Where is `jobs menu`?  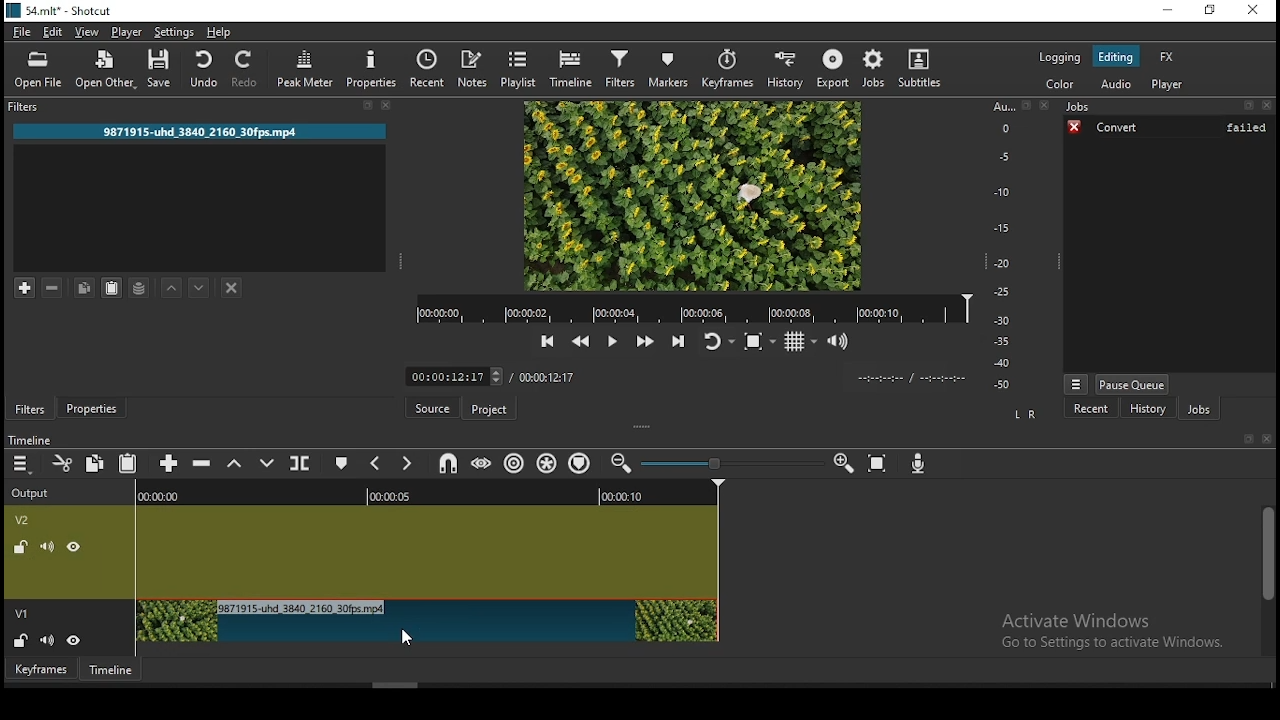 jobs menu is located at coordinates (1077, 384).